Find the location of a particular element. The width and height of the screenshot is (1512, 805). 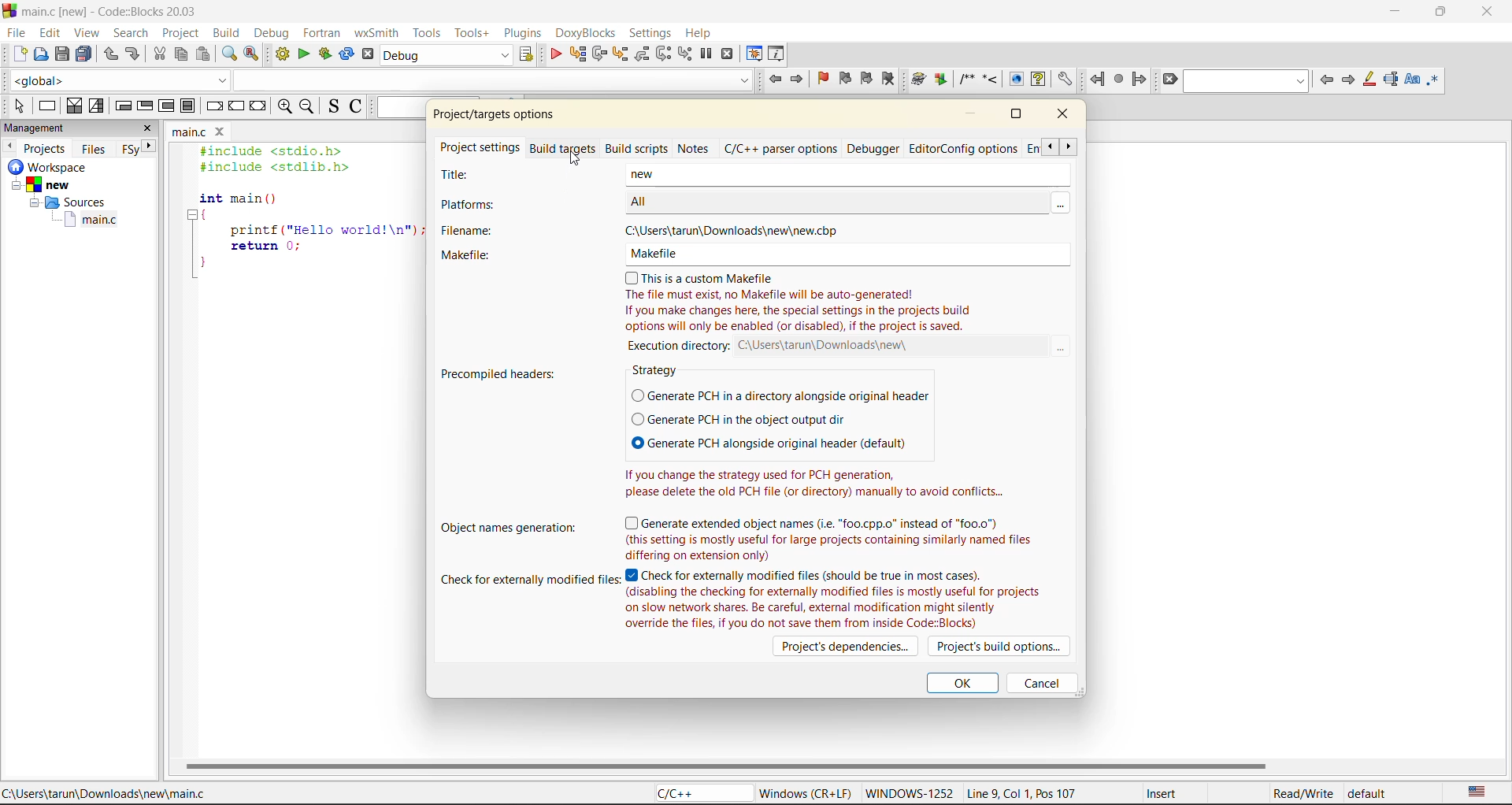

Read/Write is located at coordinates (1302, 794).